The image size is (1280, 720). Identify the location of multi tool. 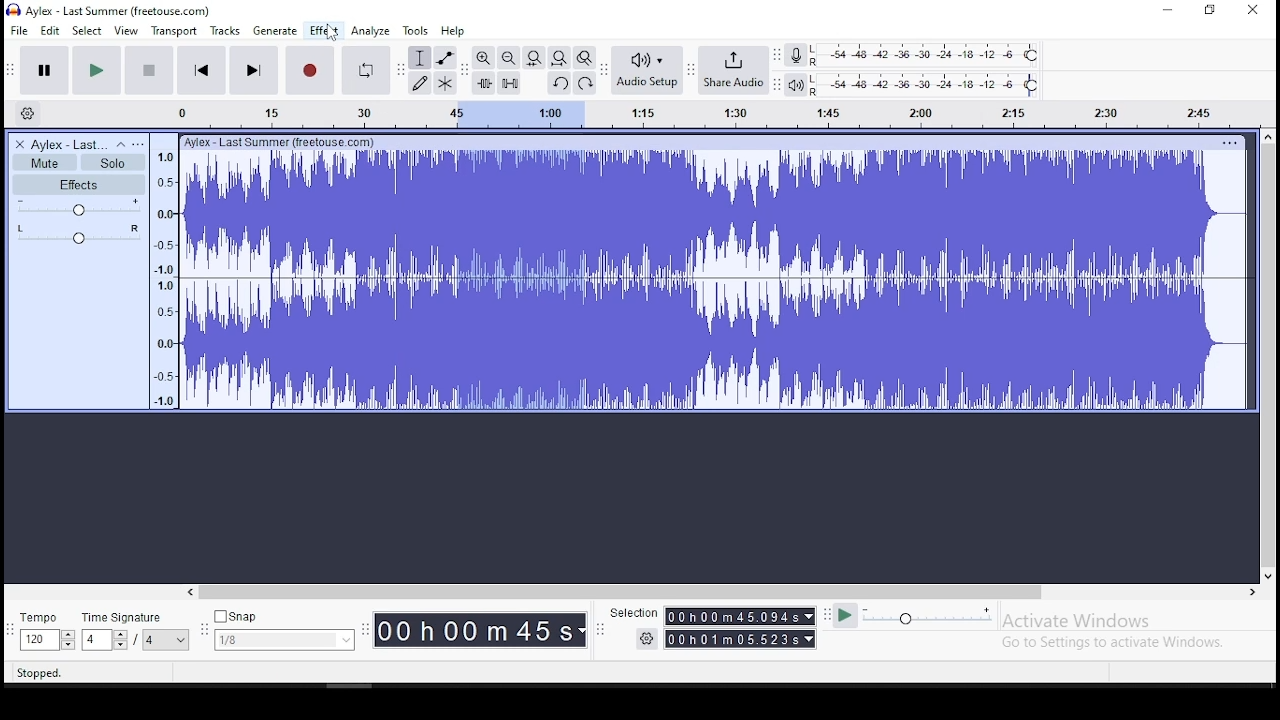
(444, 85).